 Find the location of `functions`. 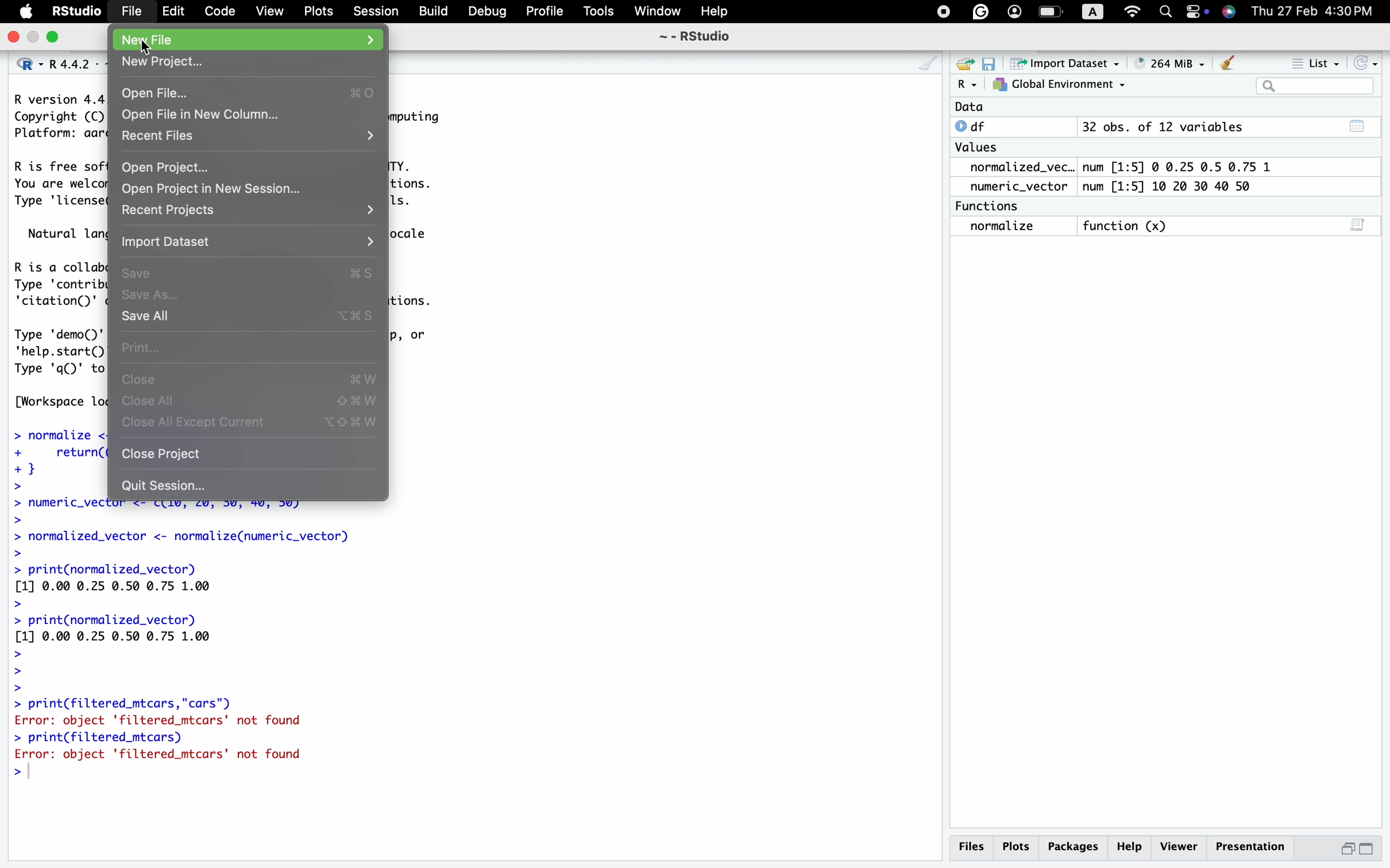

functions is located at coordinates (991, 207).